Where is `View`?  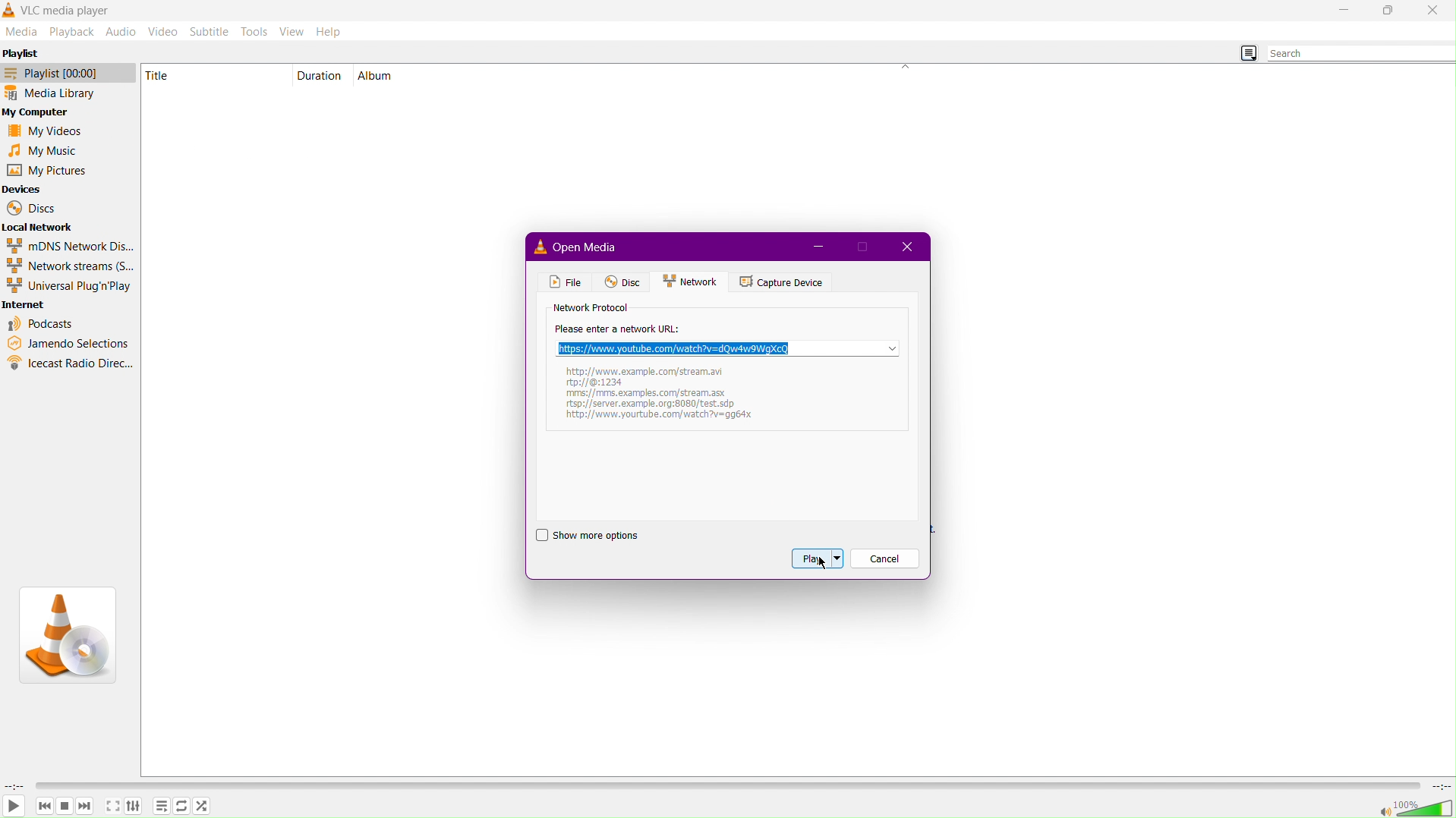
View is located at coordinates (292, 32).